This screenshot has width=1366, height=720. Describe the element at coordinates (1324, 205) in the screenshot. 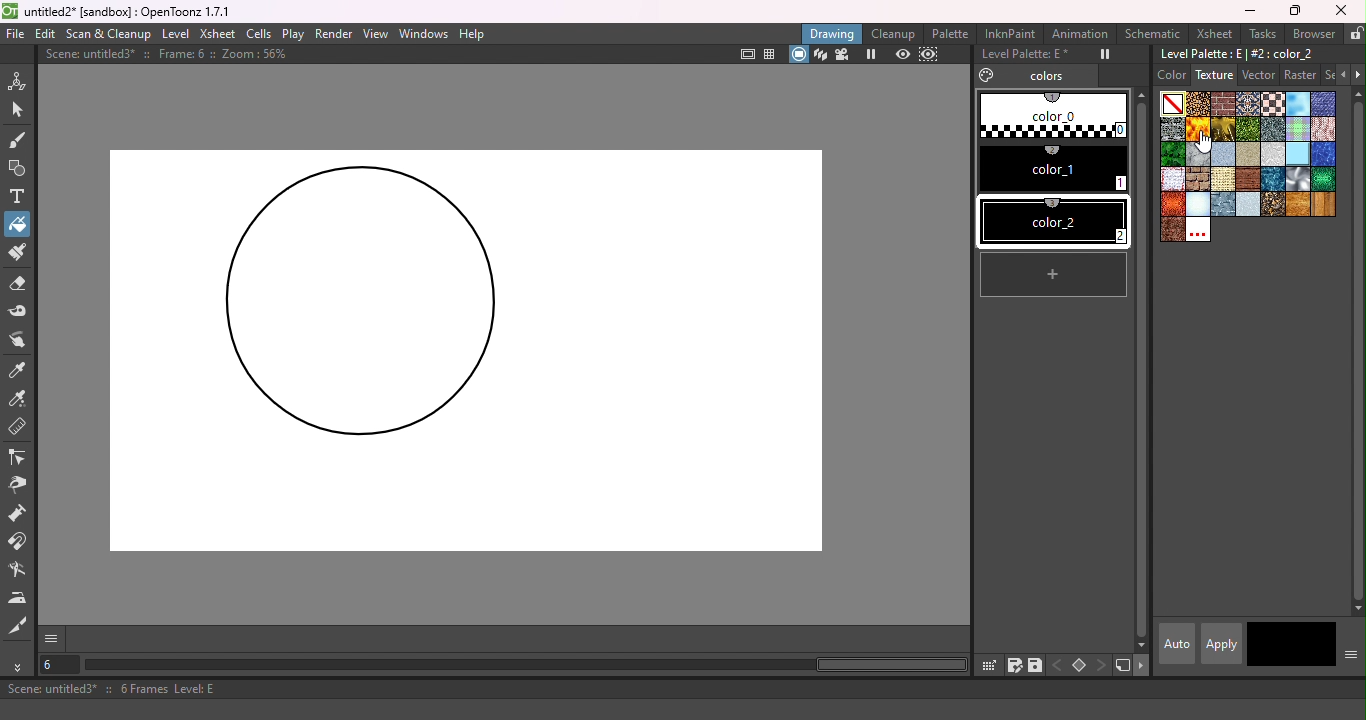

I see `woodplanks.bmp` at that location.